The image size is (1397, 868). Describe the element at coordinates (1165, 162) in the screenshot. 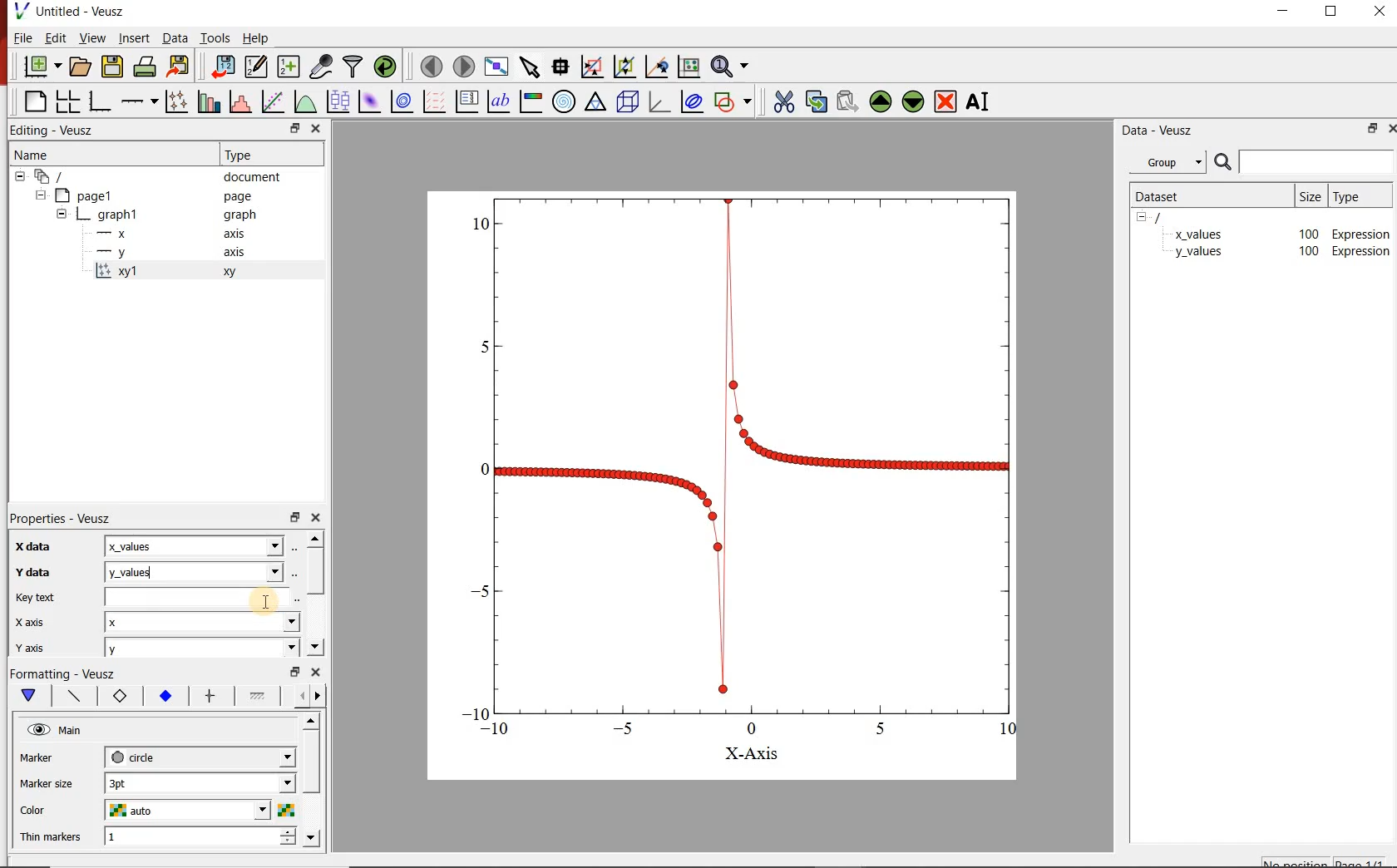

I see `group` at that location.